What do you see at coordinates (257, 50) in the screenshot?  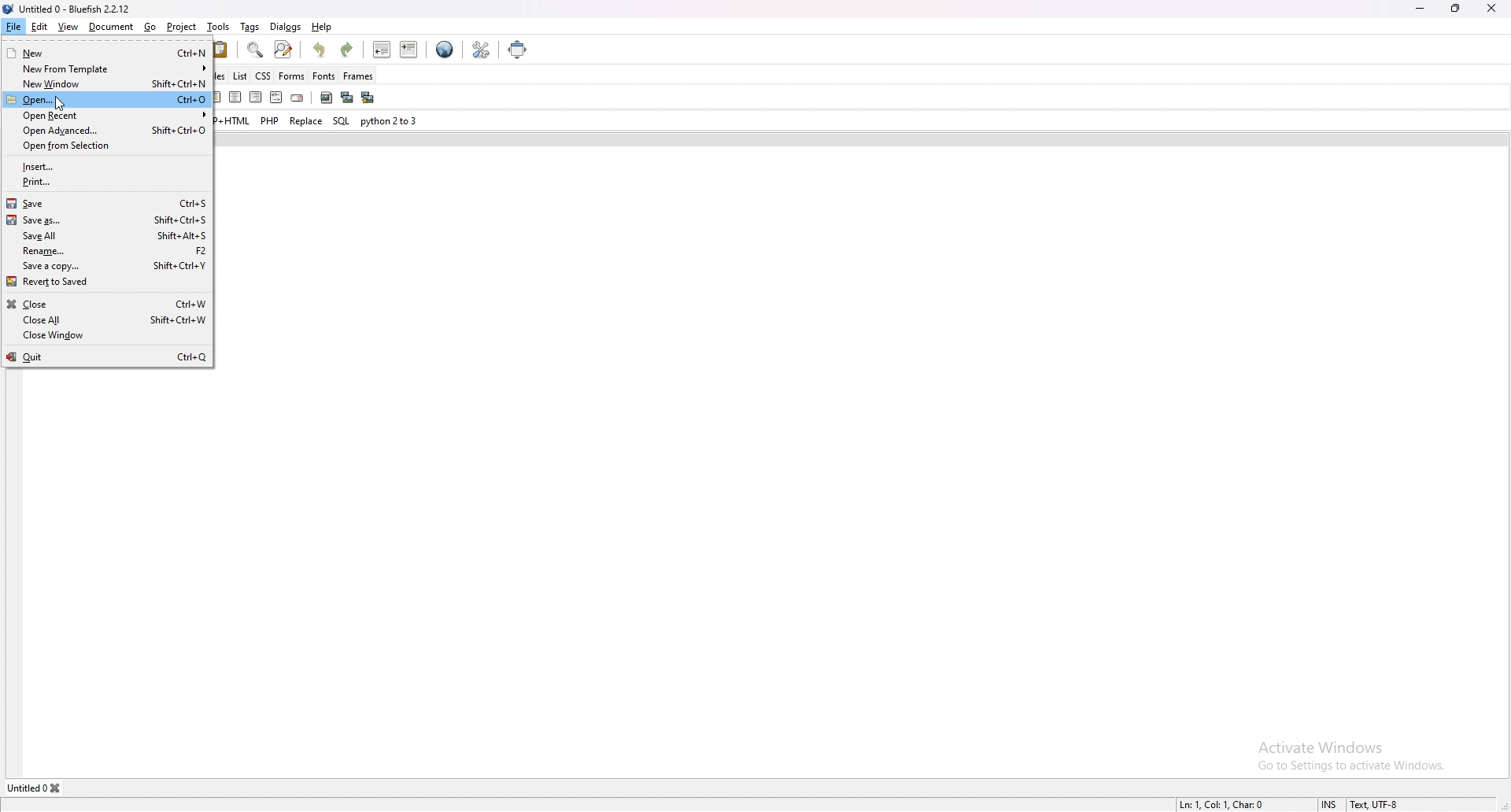 I see `show find bar` at bounding box center [257, 50].